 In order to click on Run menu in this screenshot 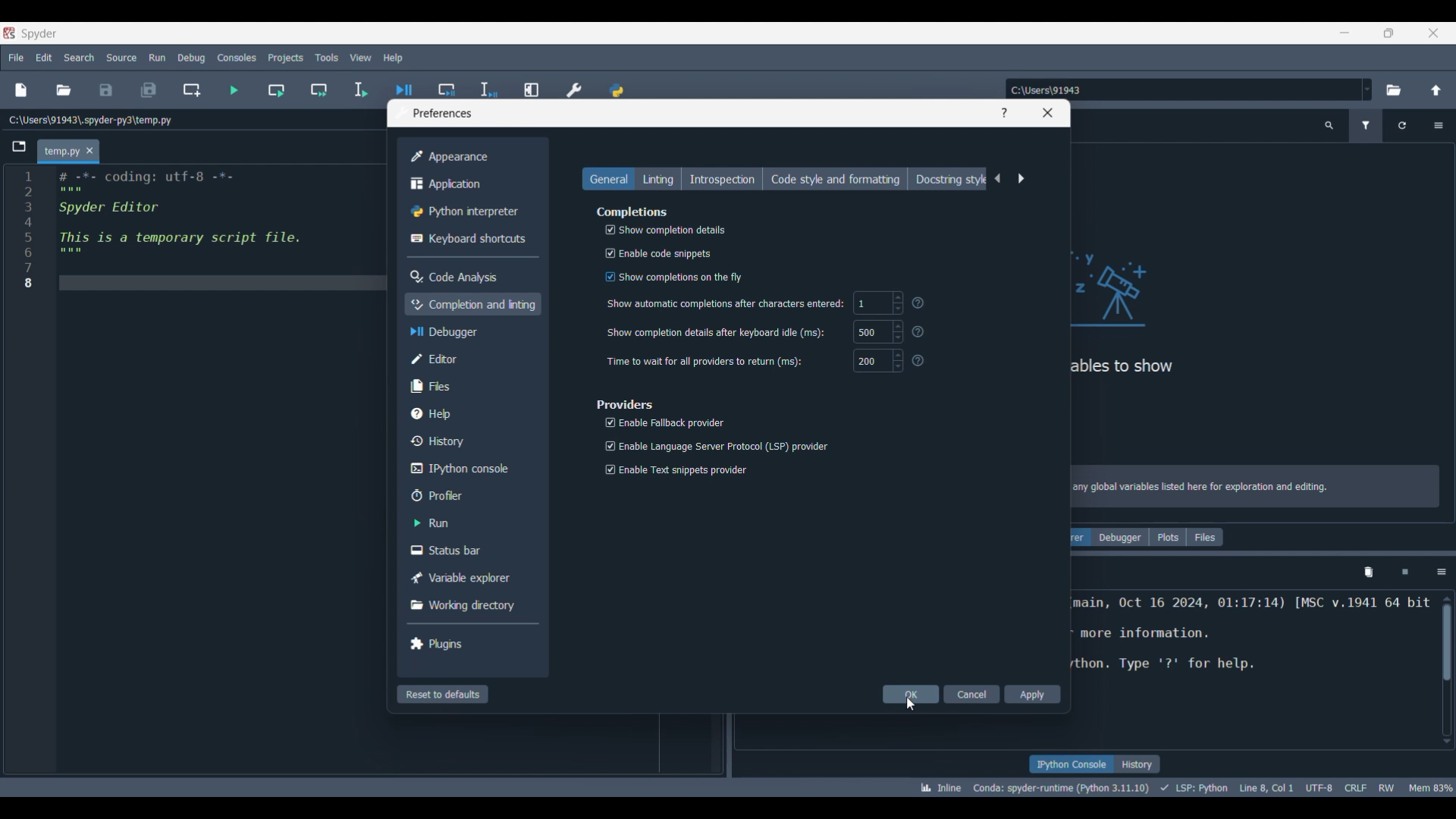, I will do `click(157, 57)`.